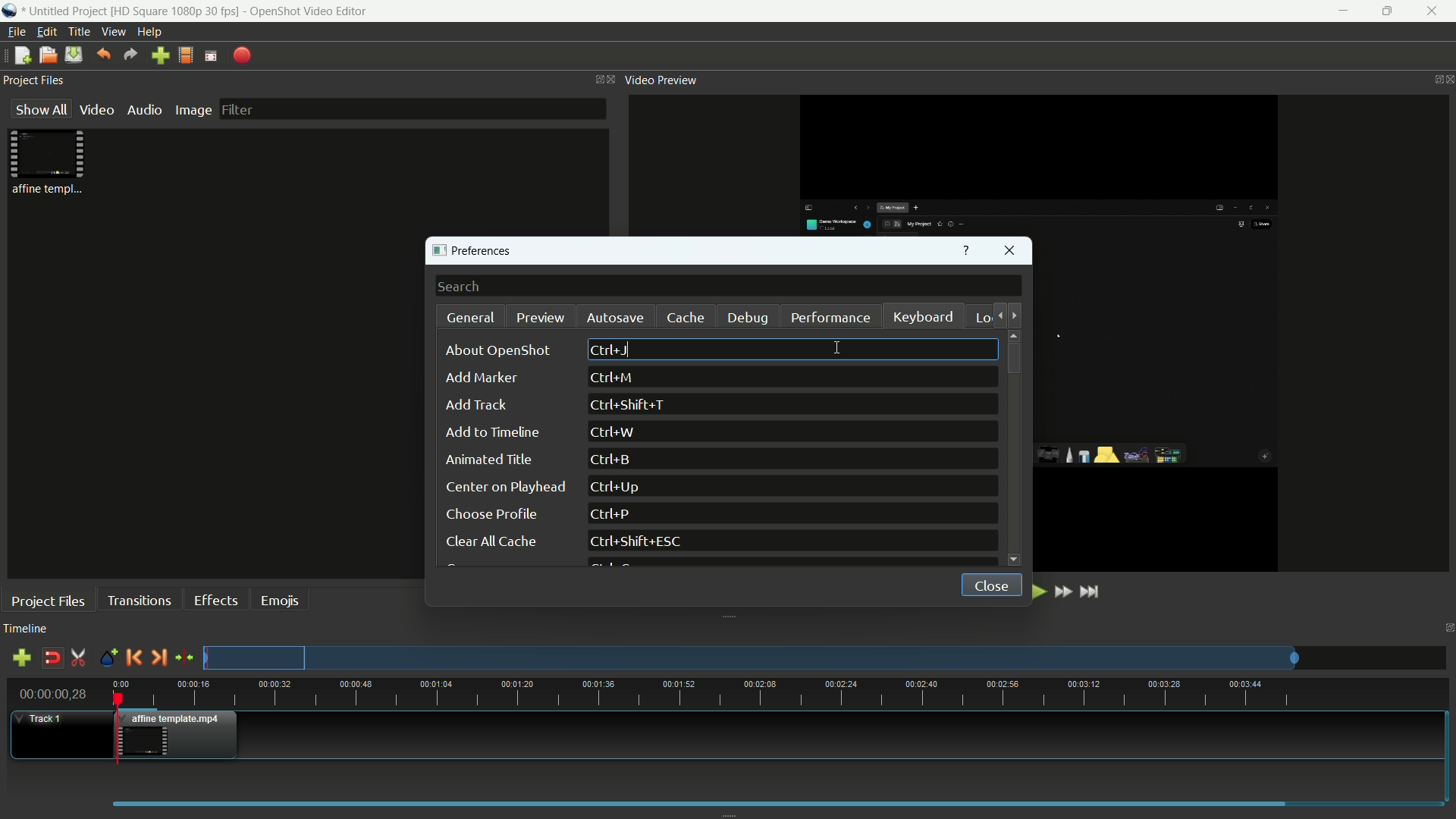  Describe the element at coordinates (491, 514) in the screenshot. I see `choose profile` at that location.